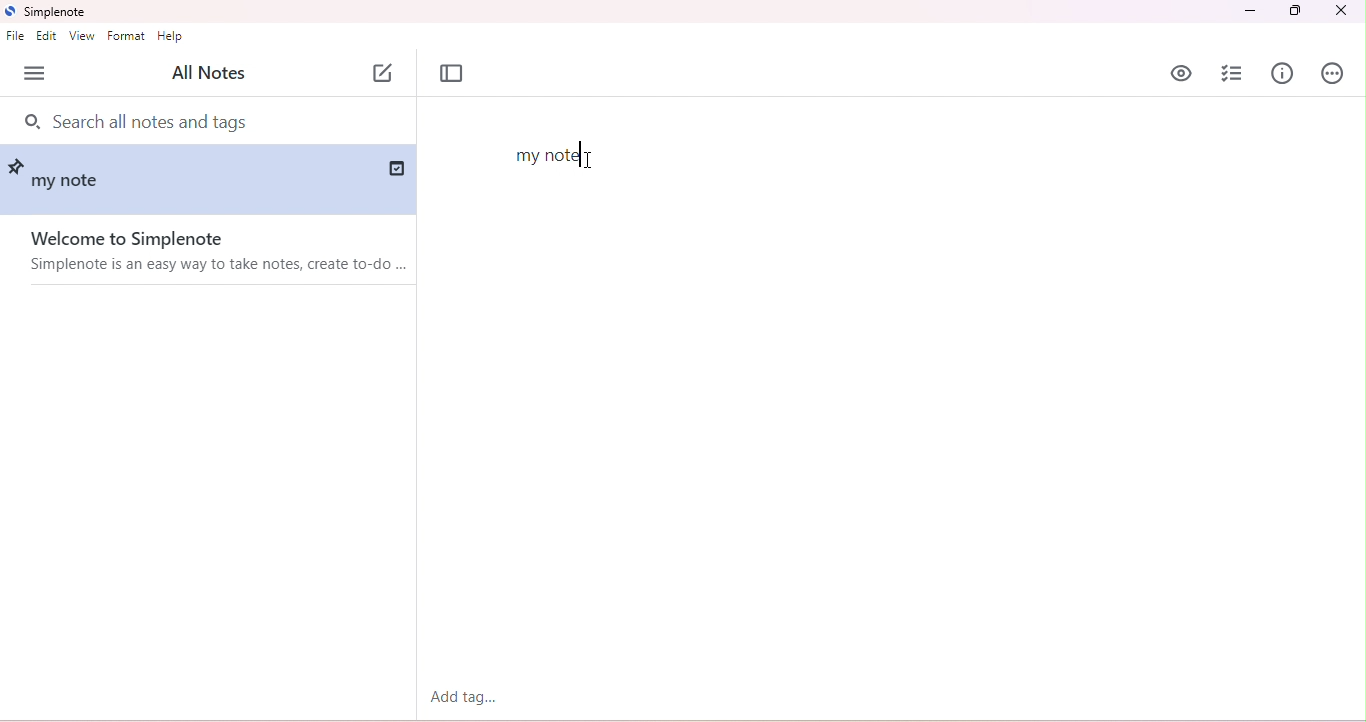 This screenshot has height=722, width=1366. What do you see at coordinates (394, 167) in the screenshot?
I see `saved` at bounding box center [394, 167].